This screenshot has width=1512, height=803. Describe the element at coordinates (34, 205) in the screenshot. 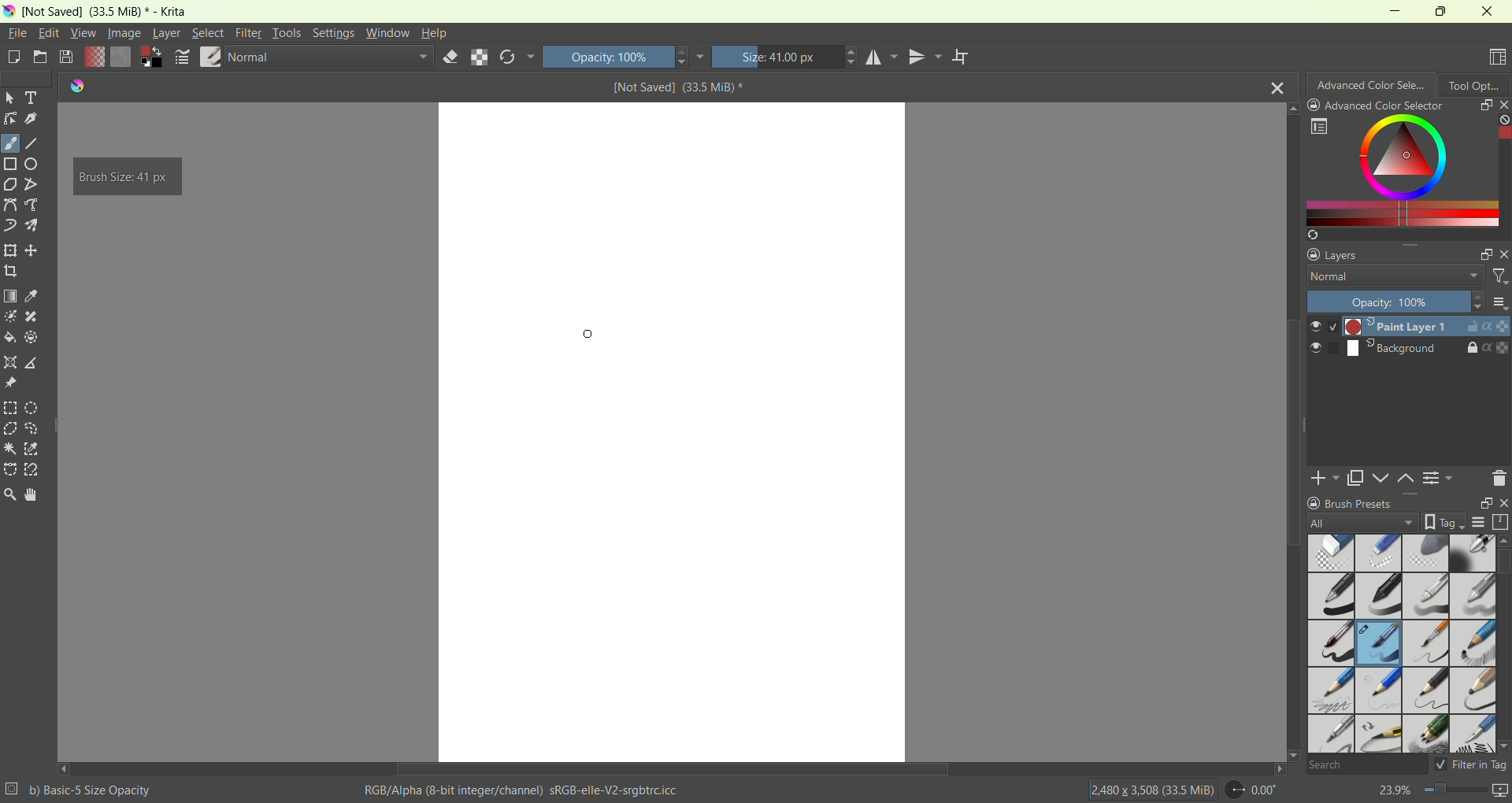

I see `freehand path` at that location.